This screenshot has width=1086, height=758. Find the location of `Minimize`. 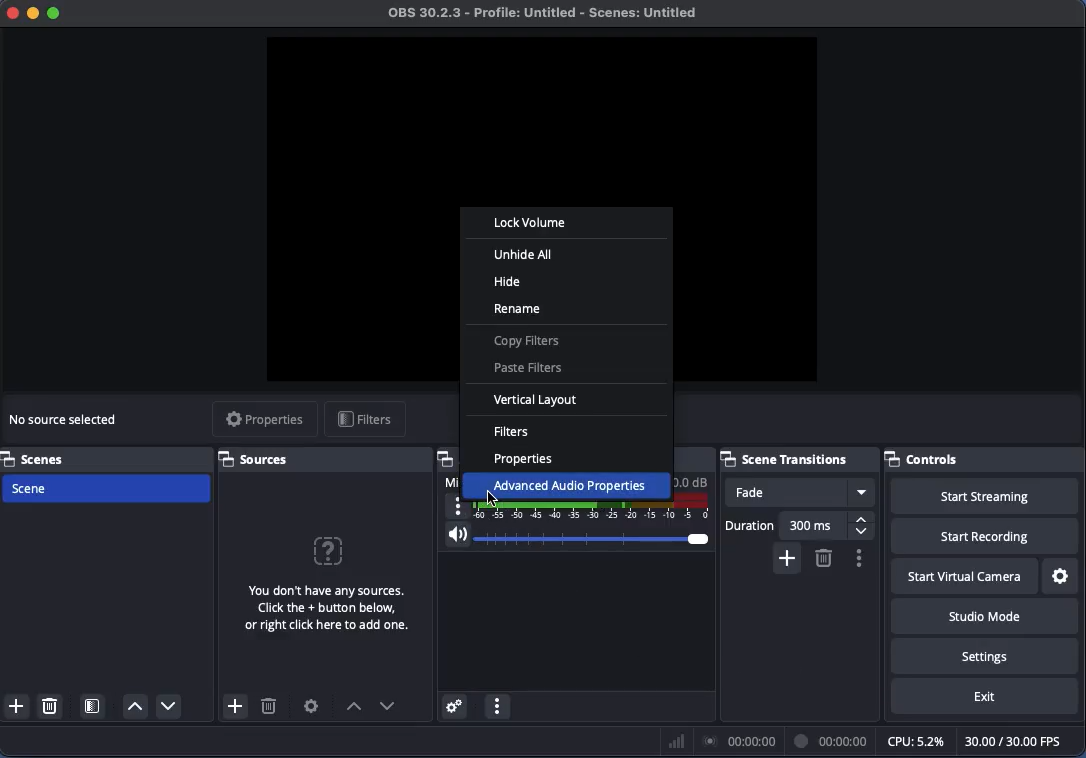

Minimize is located at coordinates (33, 12).